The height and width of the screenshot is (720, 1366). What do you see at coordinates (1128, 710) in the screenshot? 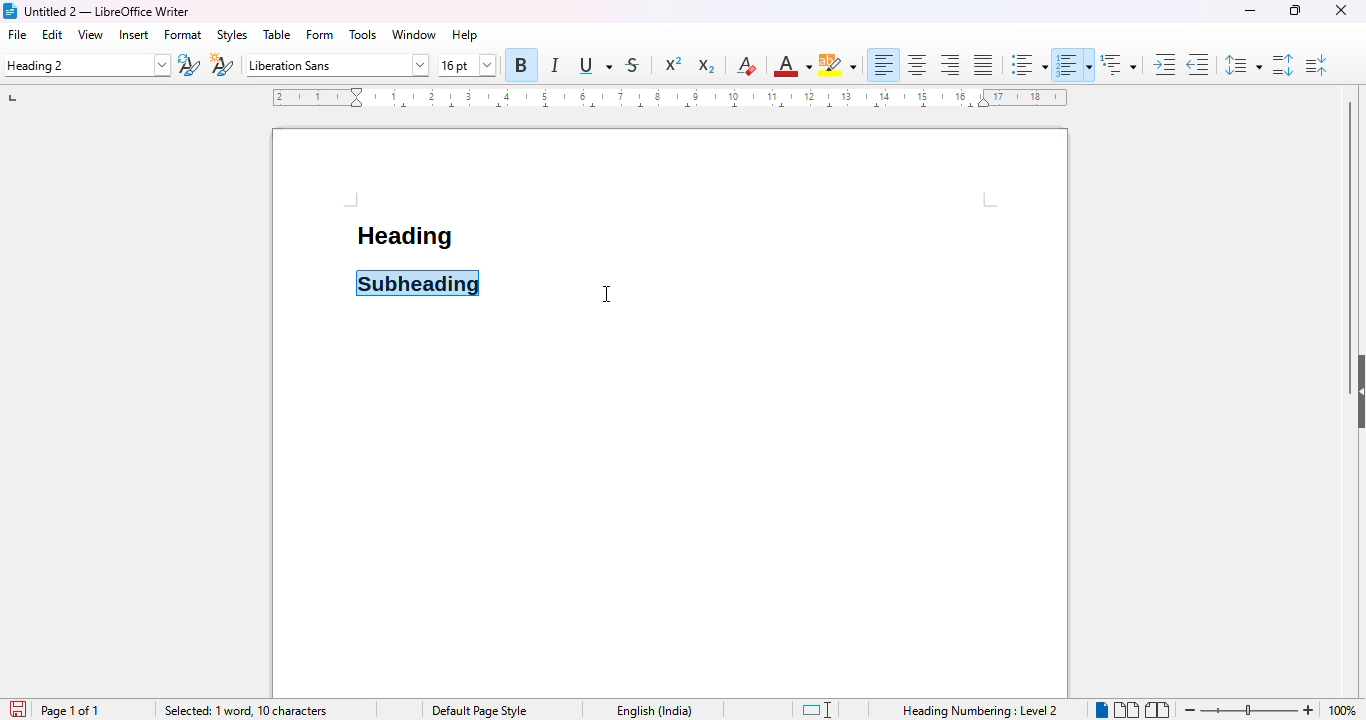
I see `multi-page view` at bounding box center [1128, 710].